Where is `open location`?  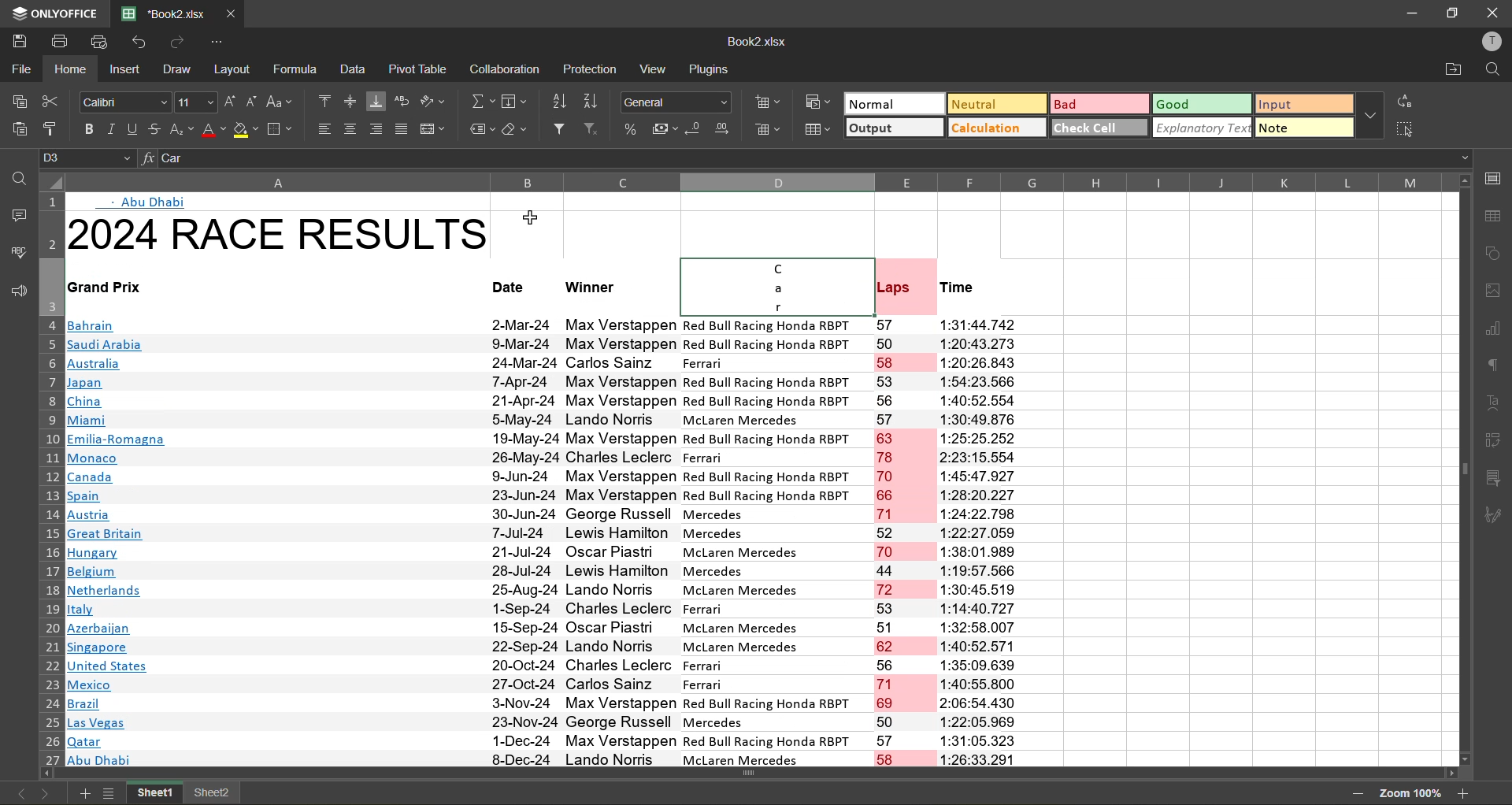
open location is located at coordinates (1454, 69).